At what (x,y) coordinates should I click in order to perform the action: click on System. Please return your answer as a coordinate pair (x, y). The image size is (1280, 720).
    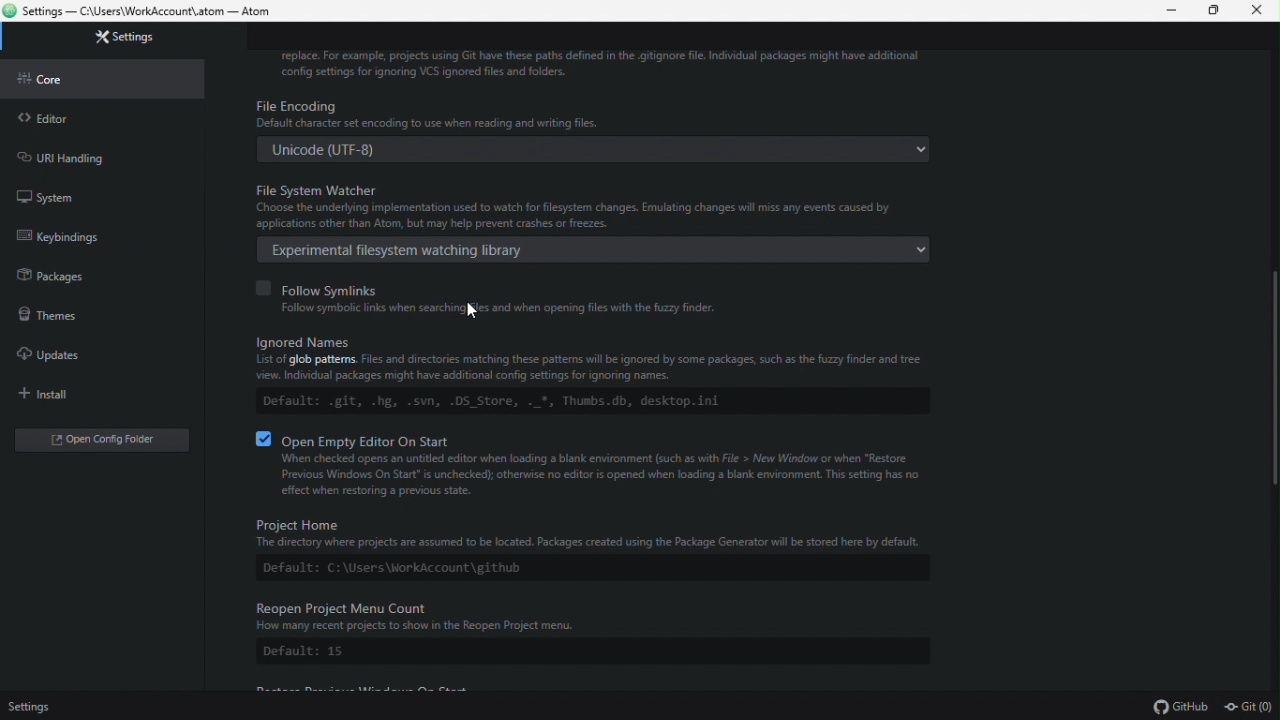
    Looking at the image, I should click on (55, 199).